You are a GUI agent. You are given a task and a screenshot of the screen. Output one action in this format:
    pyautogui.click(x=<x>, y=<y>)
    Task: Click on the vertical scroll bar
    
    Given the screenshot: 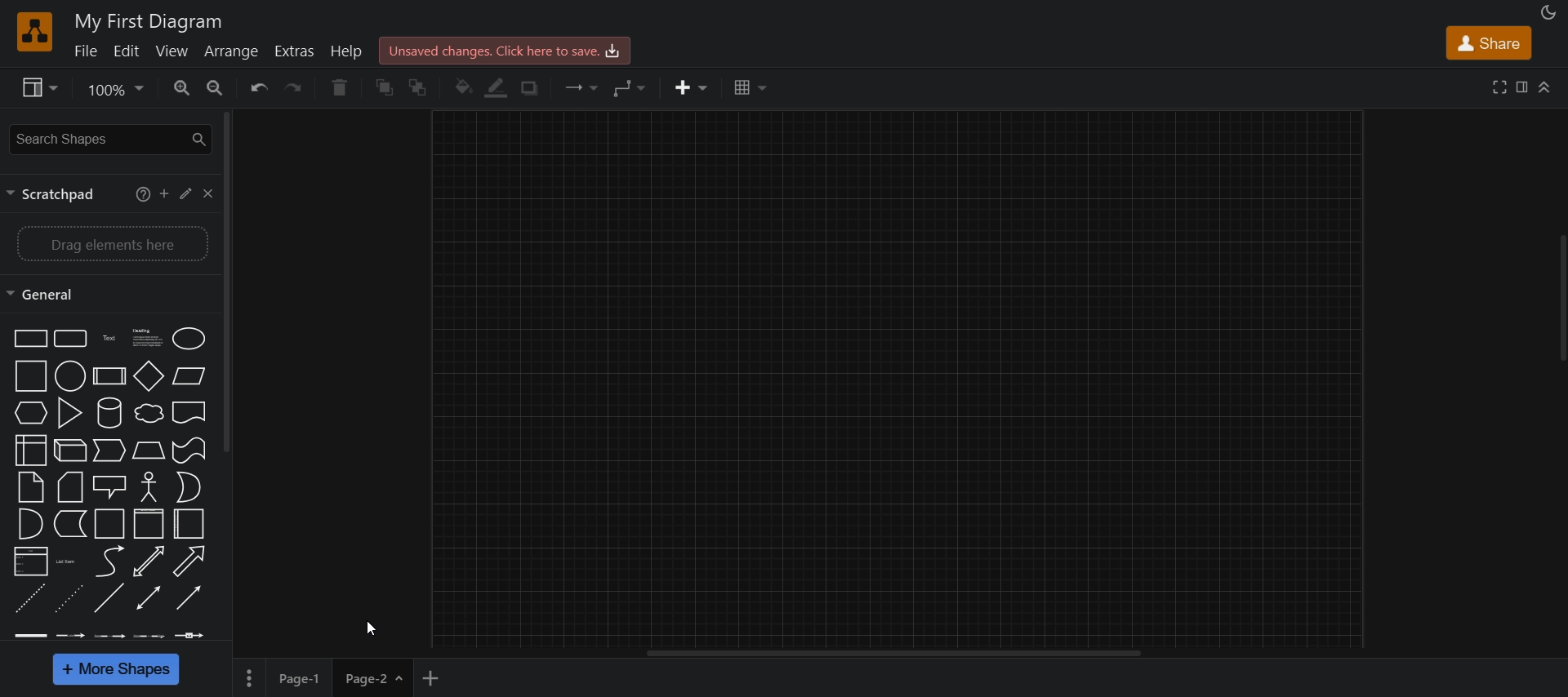 What is the action you would take?
    pyautogui.click(x=229, y=285)
    